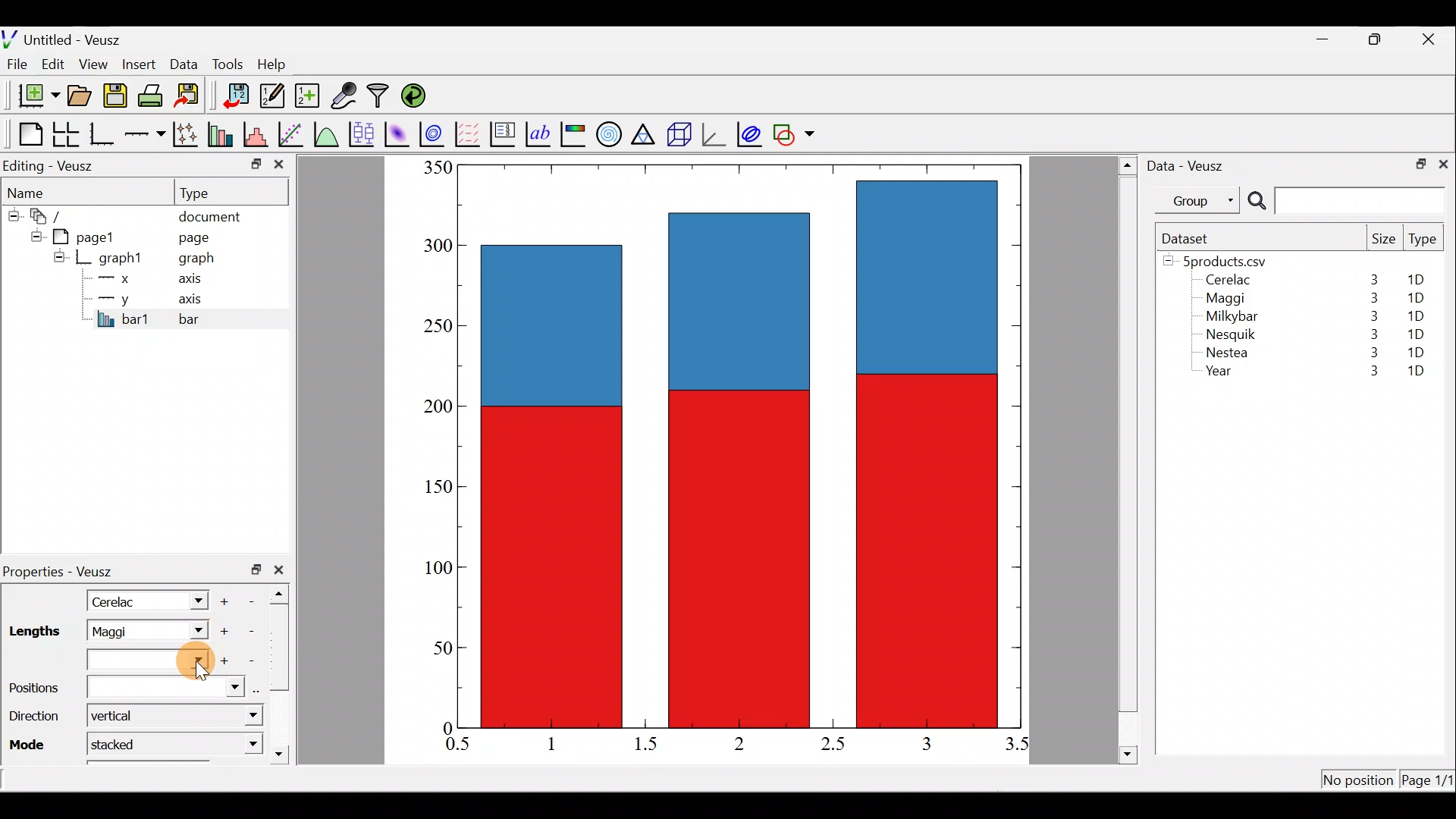 The image size is (1456, 819). I want to click on Text label, so click(540, 132).